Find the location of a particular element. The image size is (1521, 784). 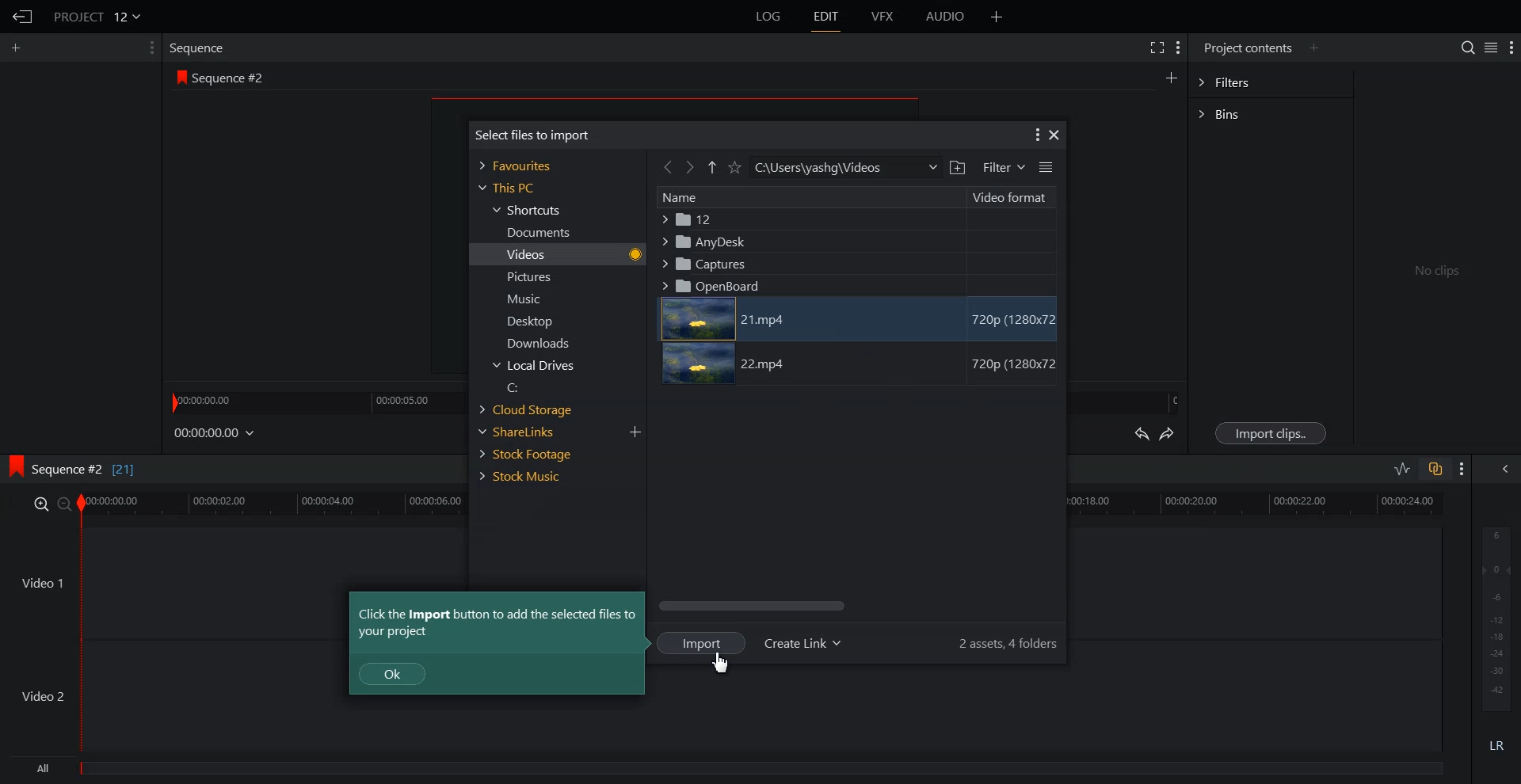

C: is located at coordinates (536, 387).